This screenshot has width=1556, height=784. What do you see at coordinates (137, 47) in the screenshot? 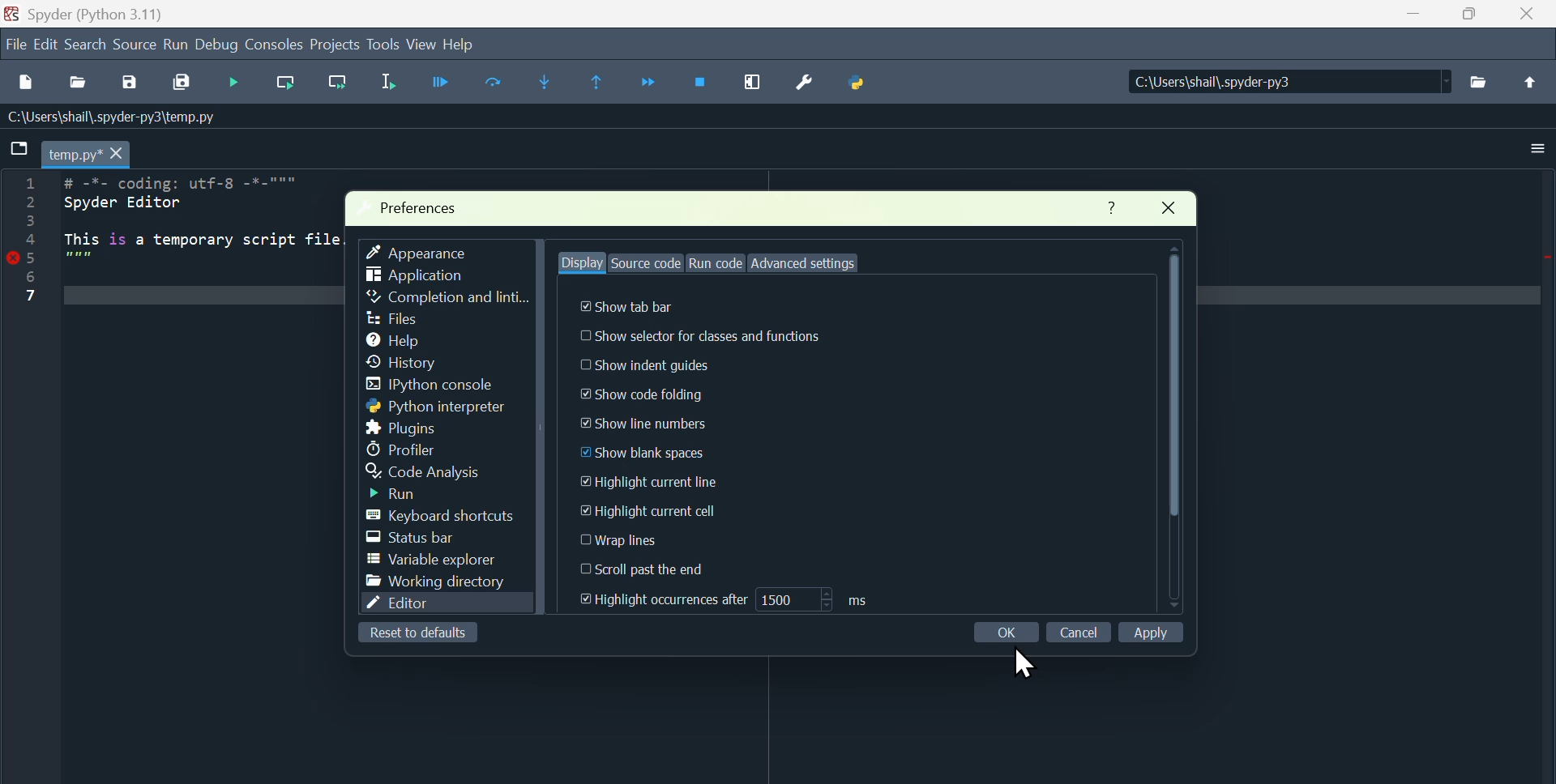
I see `Source` at bounding box center [137, 47].